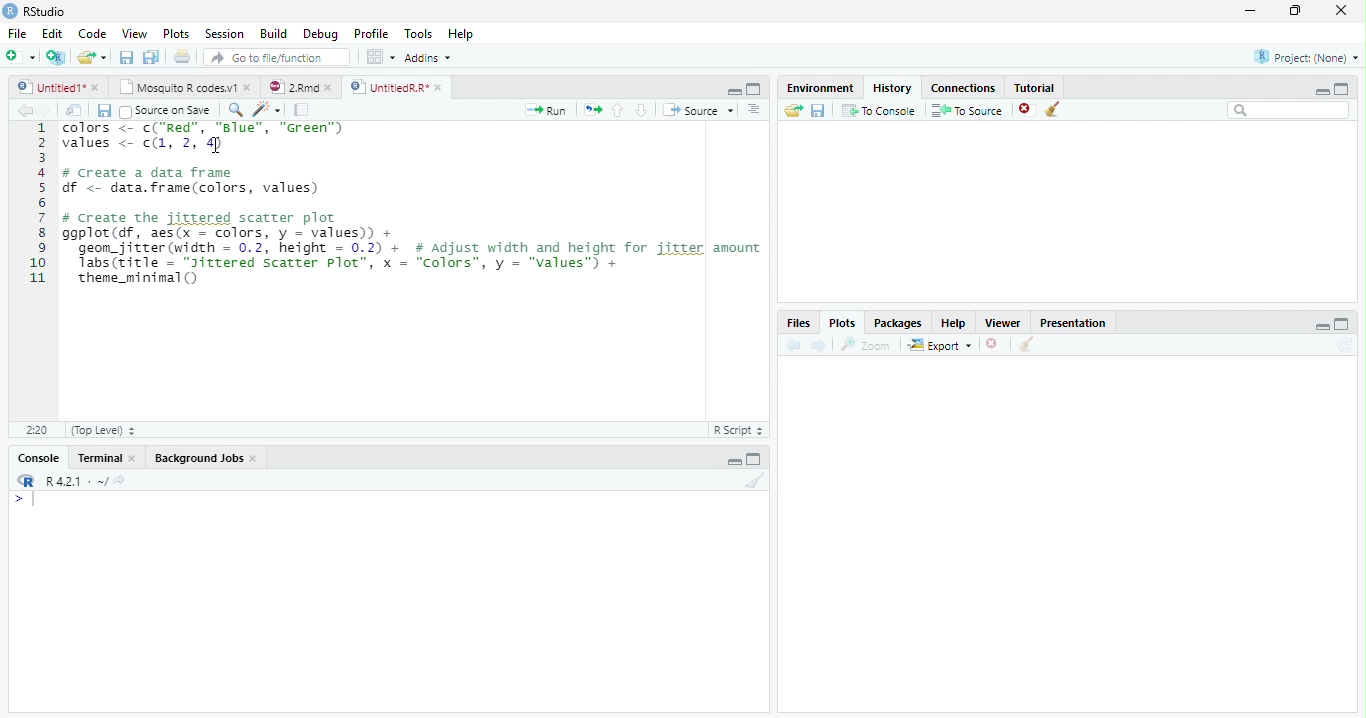 Image resolution: width=1366 pixels, height=718 pixels. Describe the element at coordinates (733, 462) in the screenshot. I see `Minimize` at that location.